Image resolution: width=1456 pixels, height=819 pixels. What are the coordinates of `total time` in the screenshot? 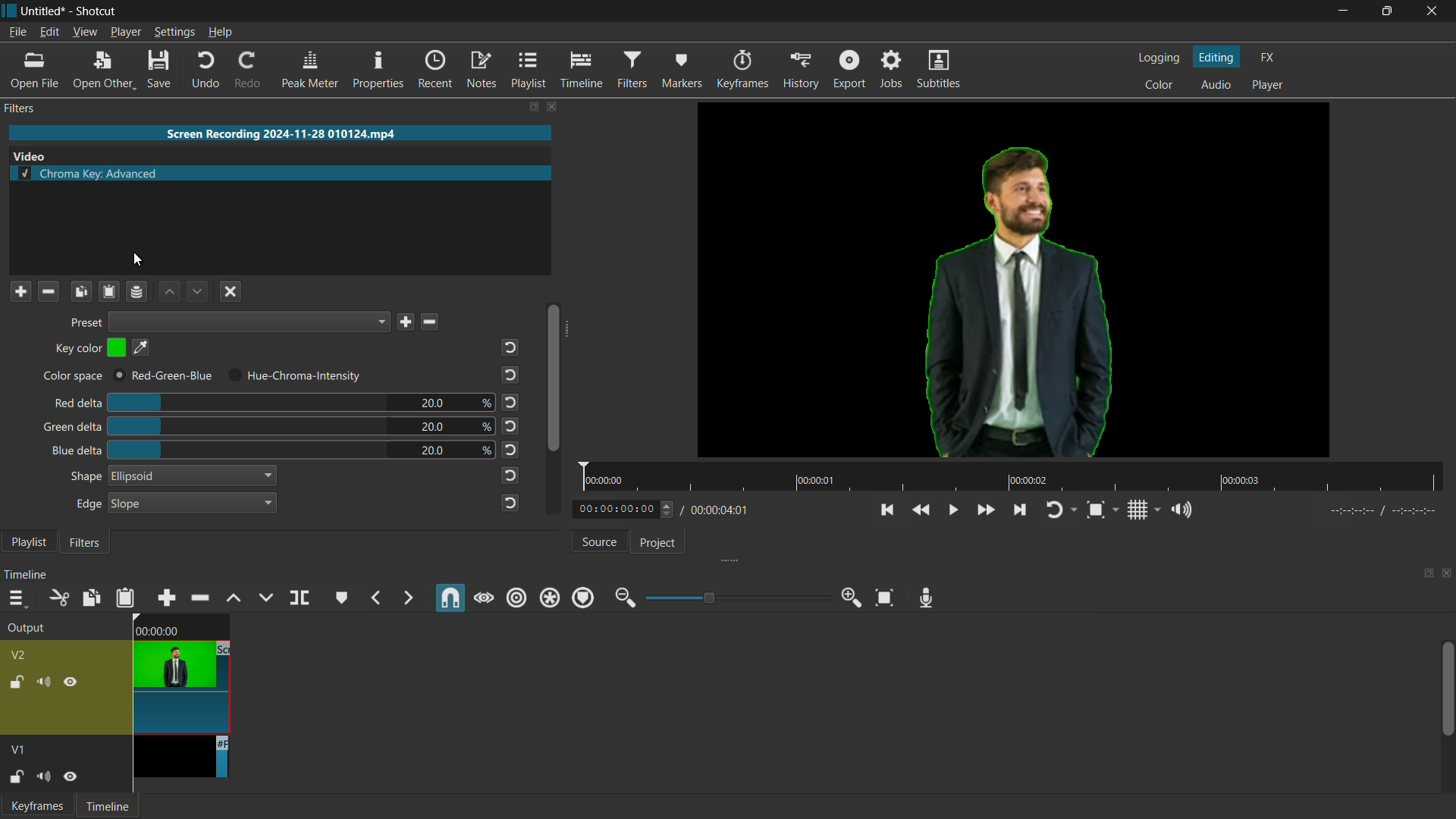 It's located at (717, 510).